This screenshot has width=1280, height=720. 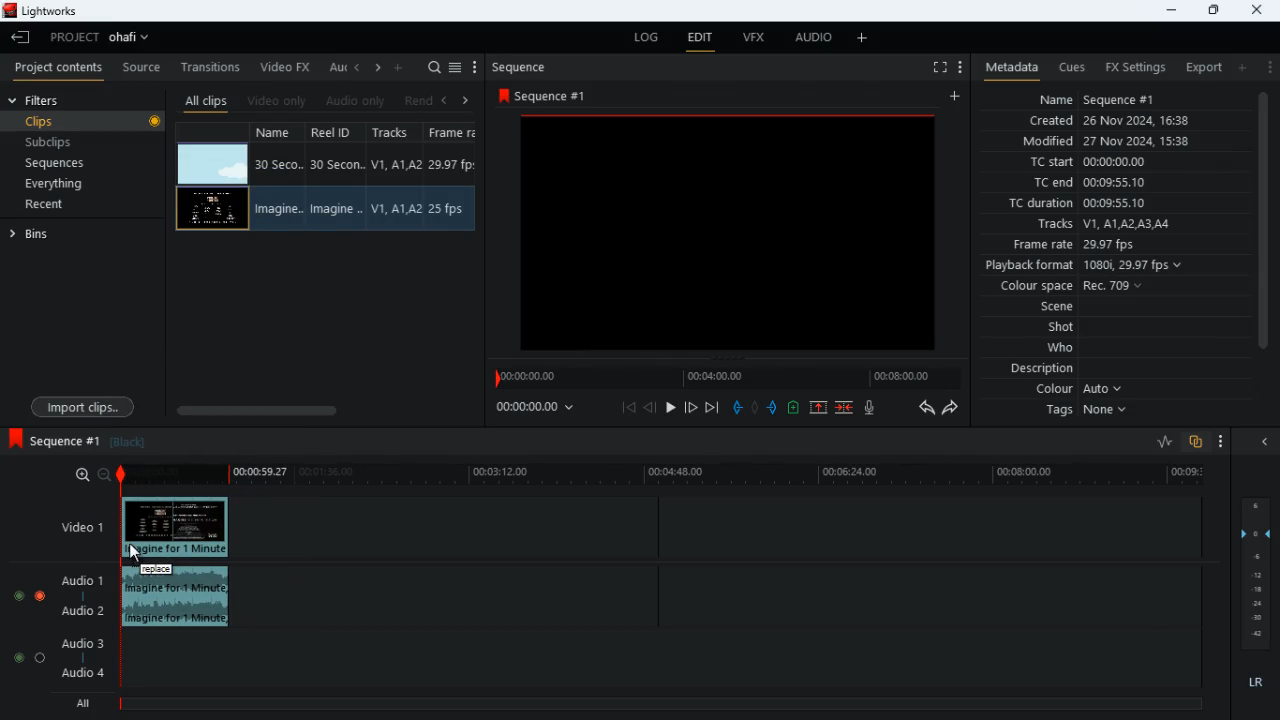 I want to click on end, so click(x=714, y=407).